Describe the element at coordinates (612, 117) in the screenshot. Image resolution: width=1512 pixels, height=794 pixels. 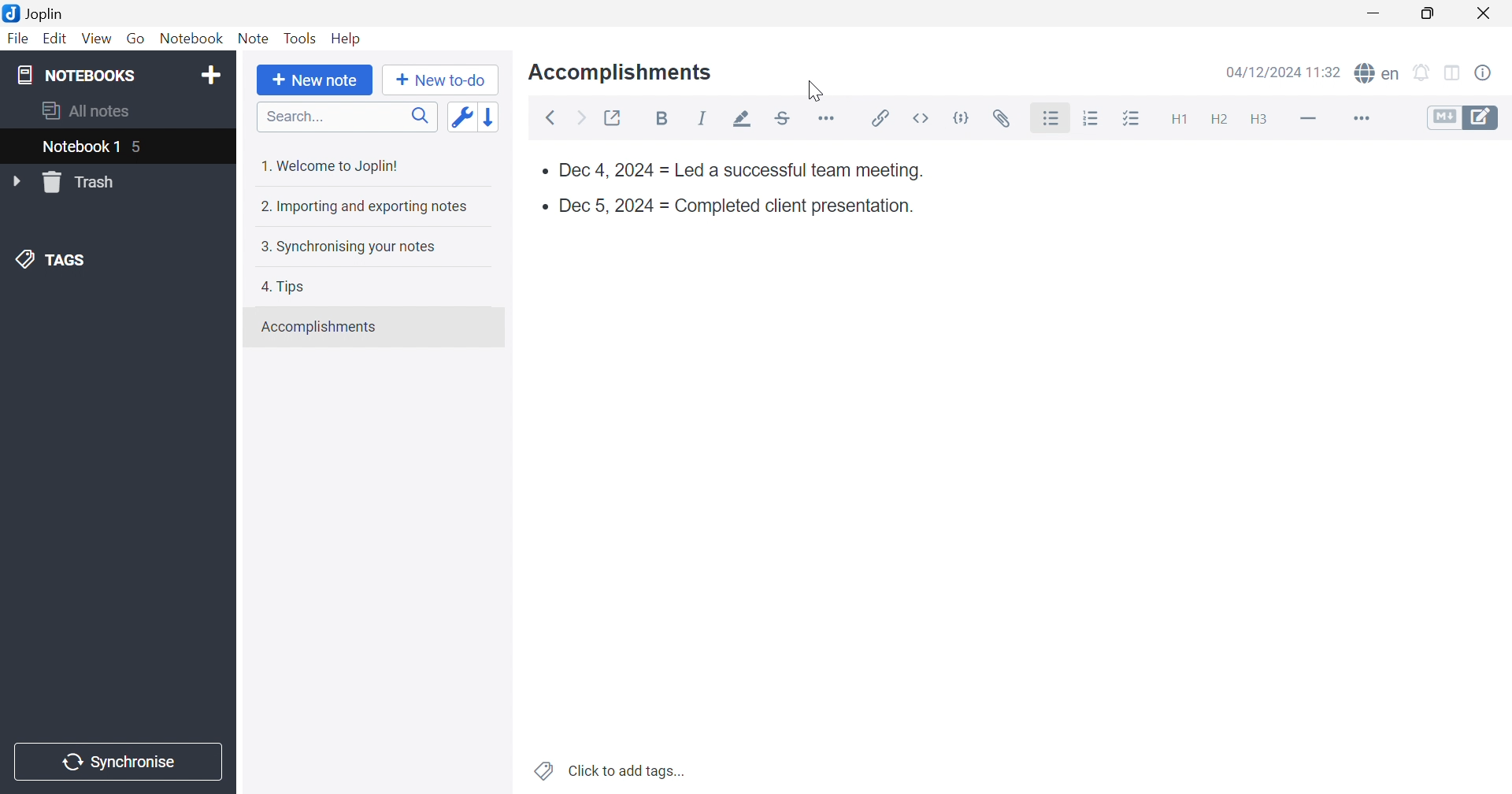
I see `Toggle external editing` at that location.